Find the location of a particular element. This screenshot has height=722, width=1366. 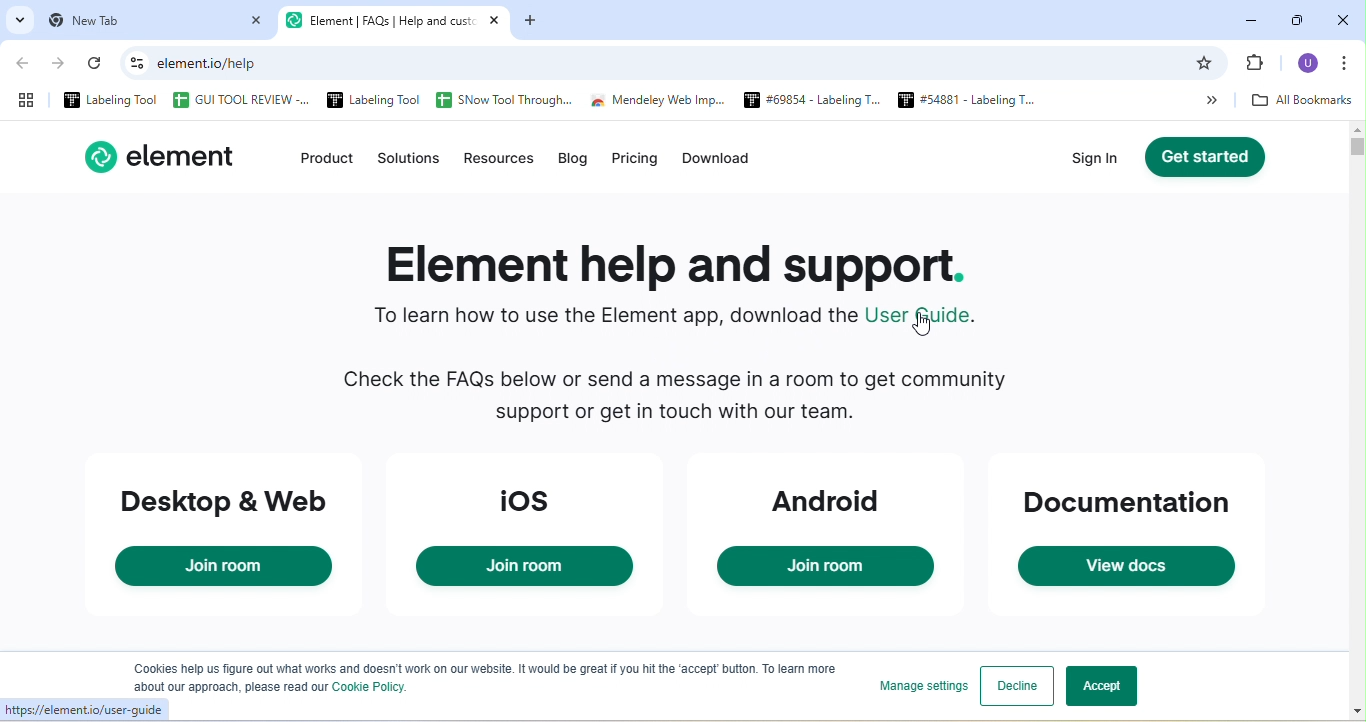

https://elementio/user-guide is located at coordinates (88, 710).